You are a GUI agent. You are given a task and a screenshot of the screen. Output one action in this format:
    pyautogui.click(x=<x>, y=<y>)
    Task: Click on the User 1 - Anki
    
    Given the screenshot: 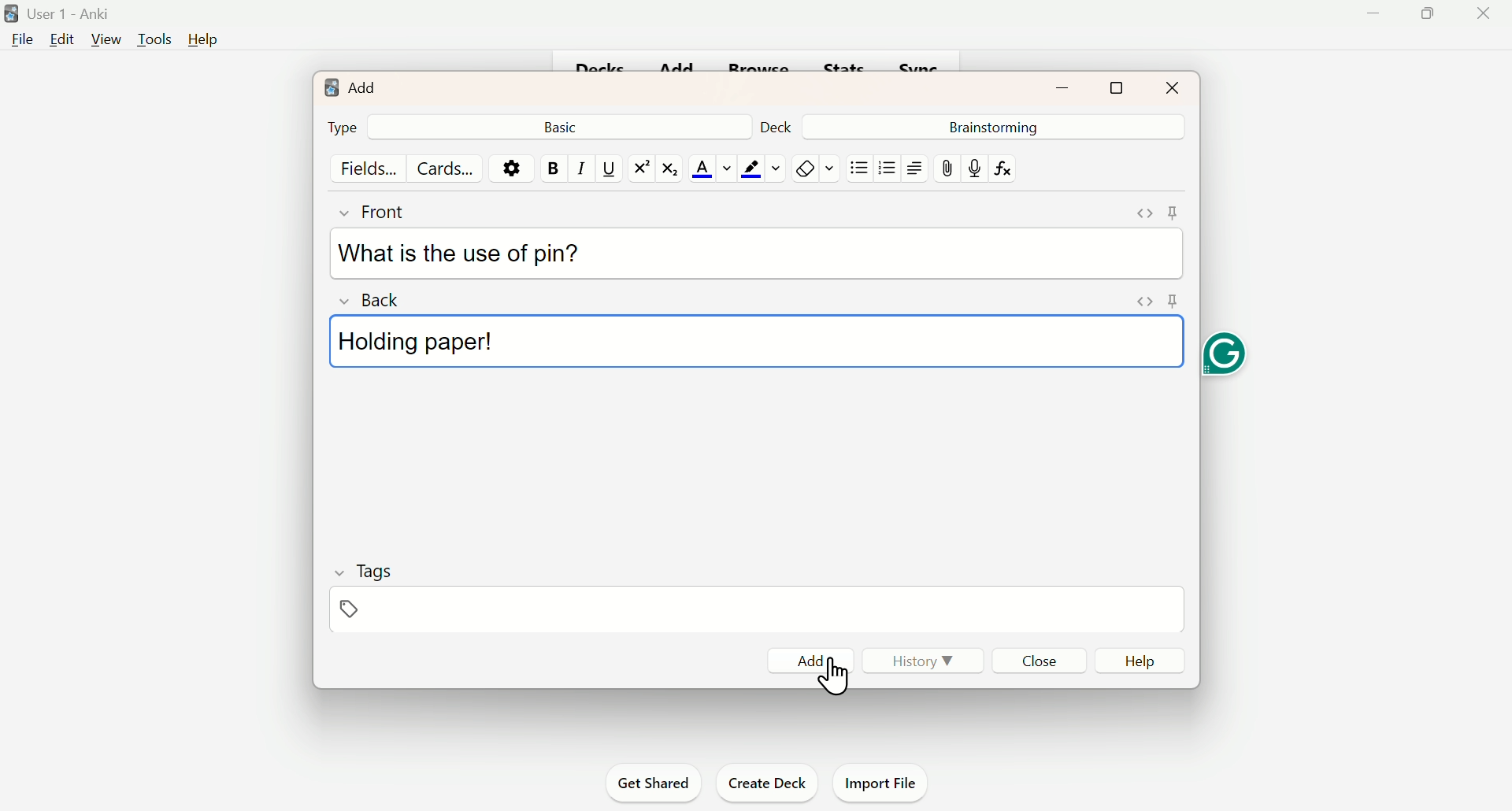 What is the action you would take?
    pyautogui.click(x=60, y=16)
    